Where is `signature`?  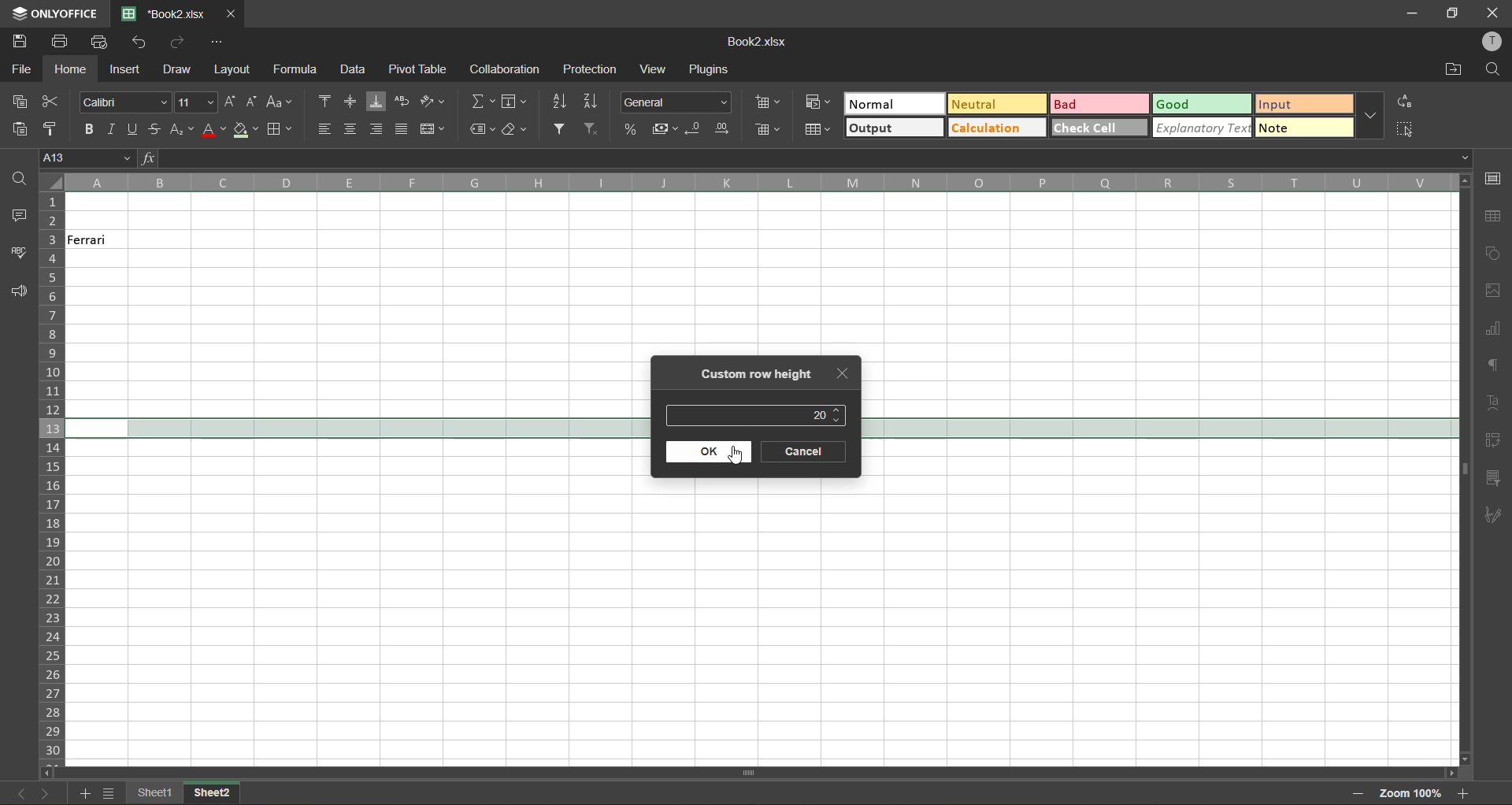 signature is located at coordinates (1495, 514).